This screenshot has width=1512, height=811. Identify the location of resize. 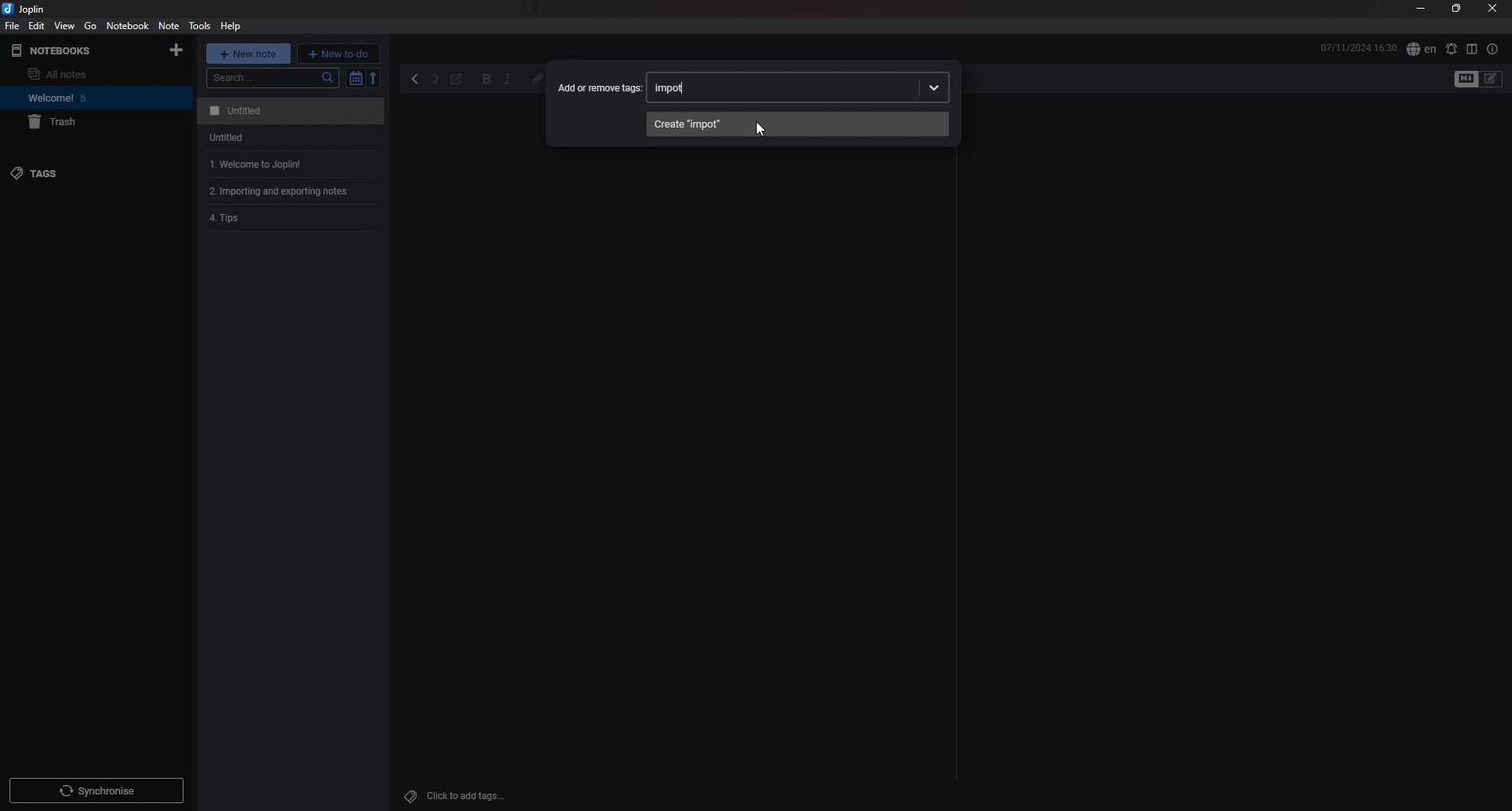
(1455, 9).